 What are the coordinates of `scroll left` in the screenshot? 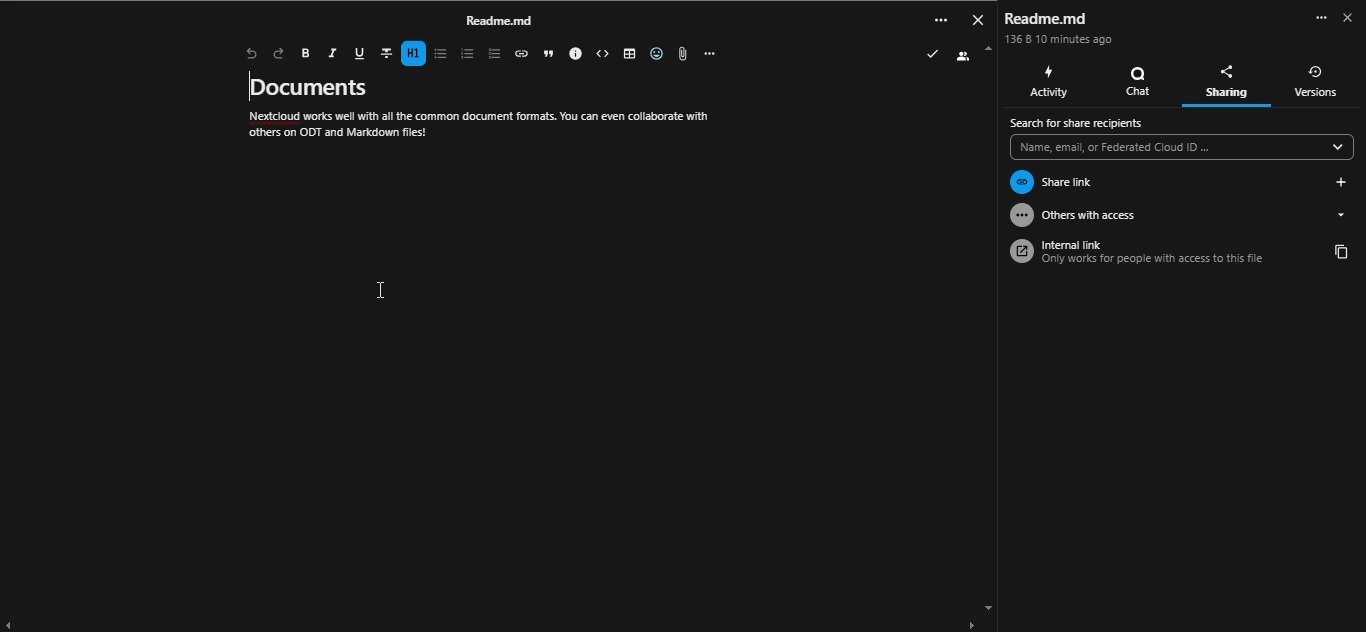 It's located at (12, 625).